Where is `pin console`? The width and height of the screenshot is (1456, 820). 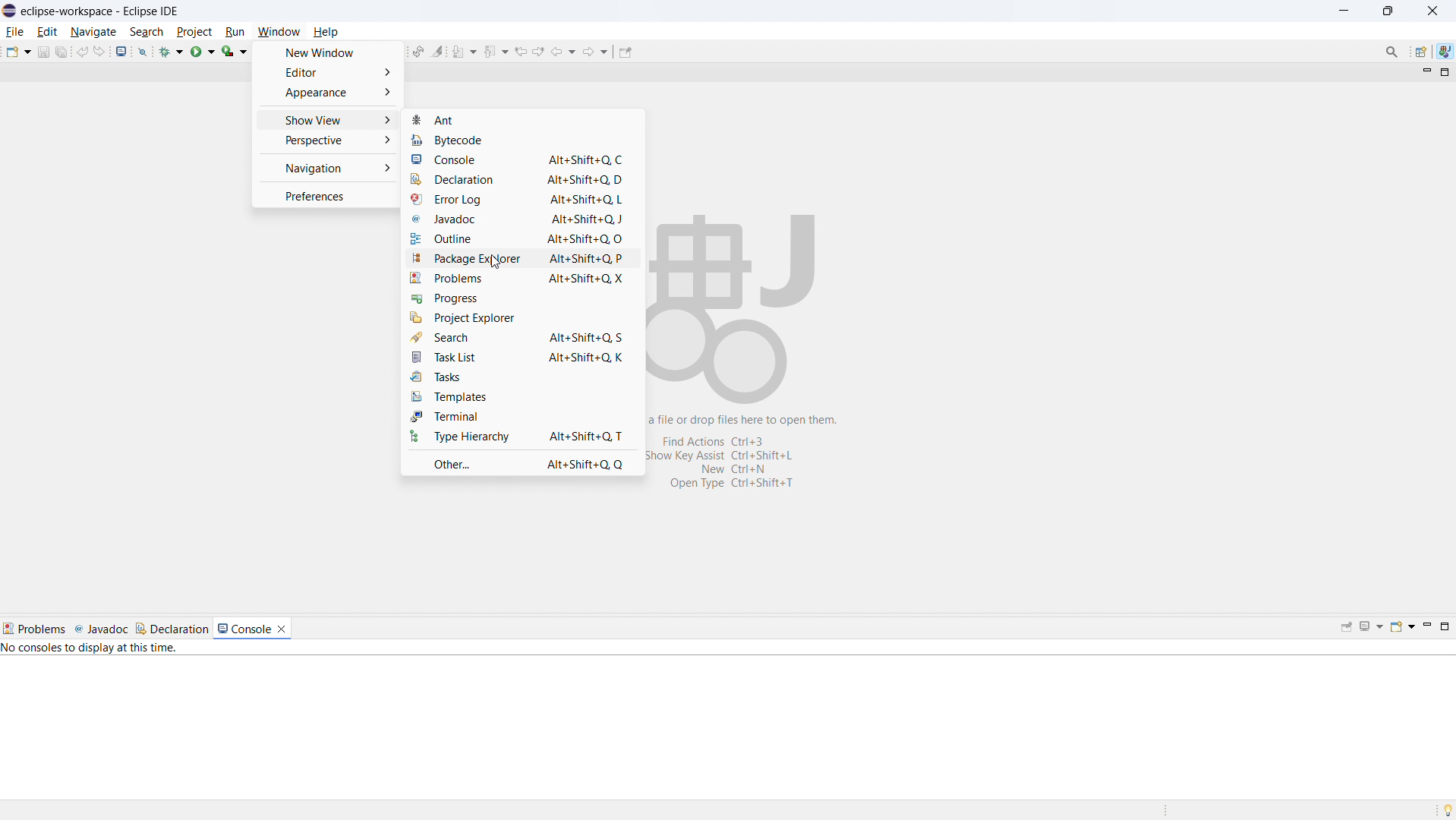 pin console is located at coordinates (1347, 627).